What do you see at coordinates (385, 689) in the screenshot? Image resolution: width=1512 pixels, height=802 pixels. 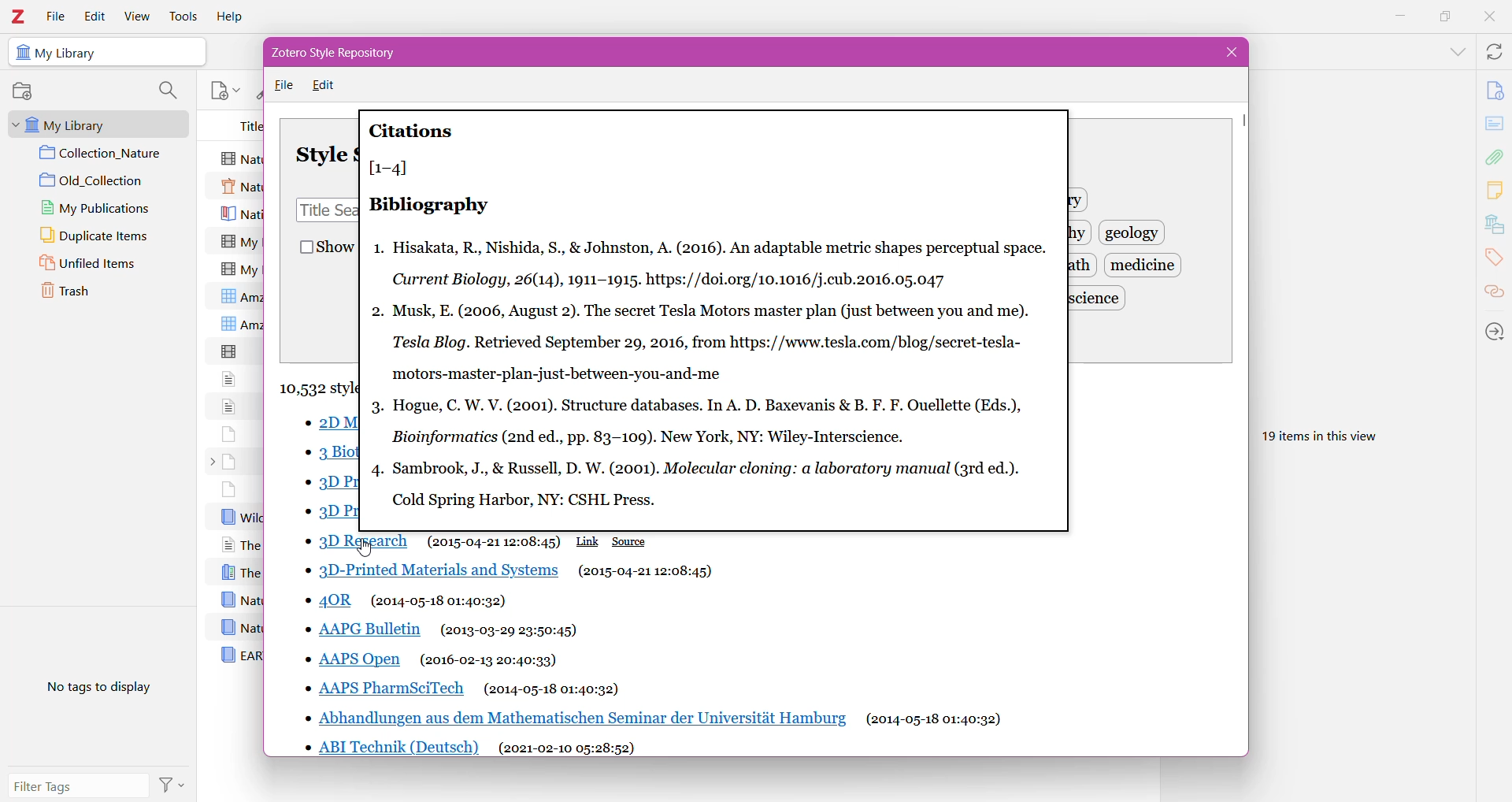 I see `Style 10` at bounding box center [385, 689].